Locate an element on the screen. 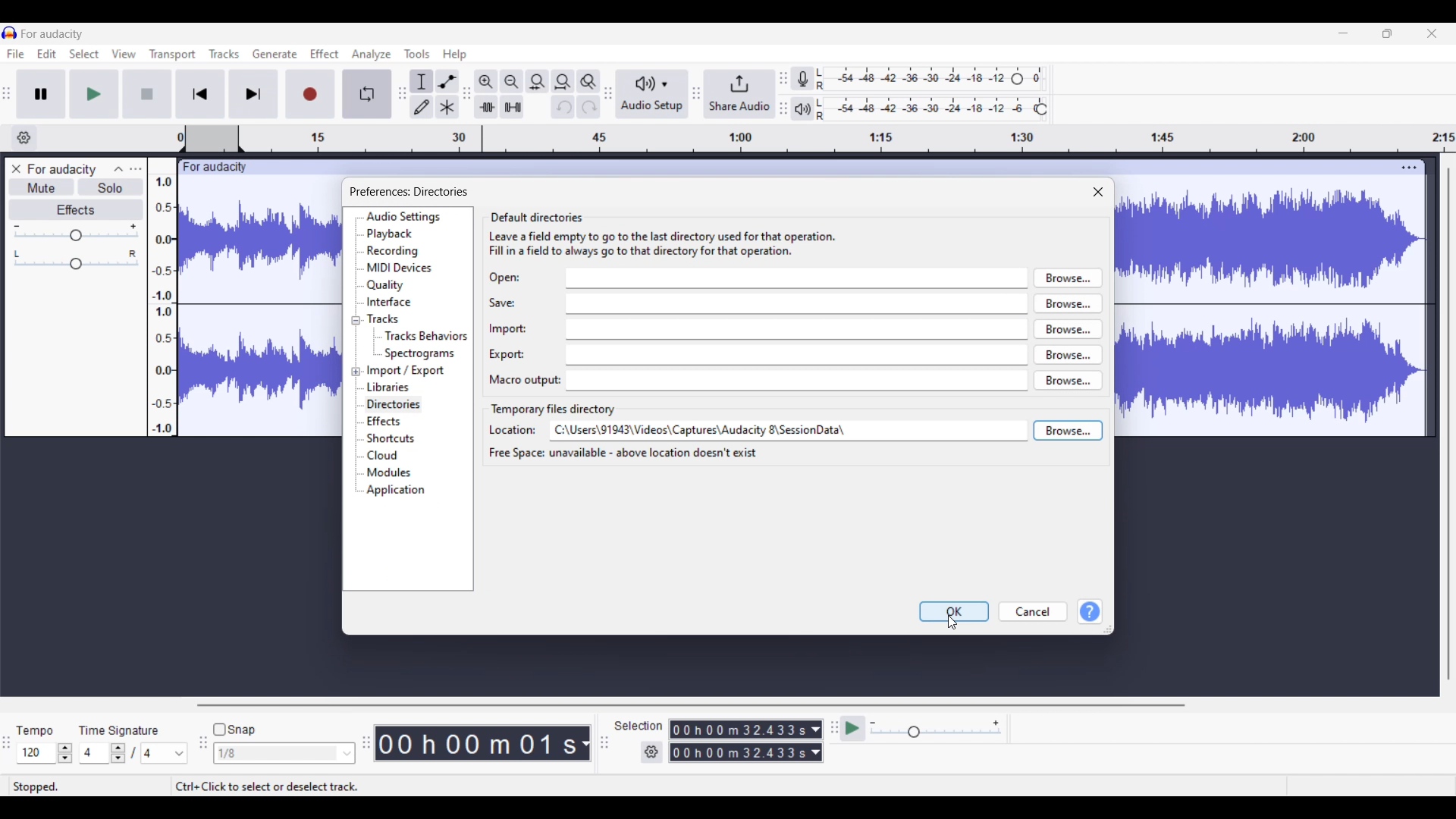 The image size is (1456, 819). browse is located at coordinates (1068, 354).